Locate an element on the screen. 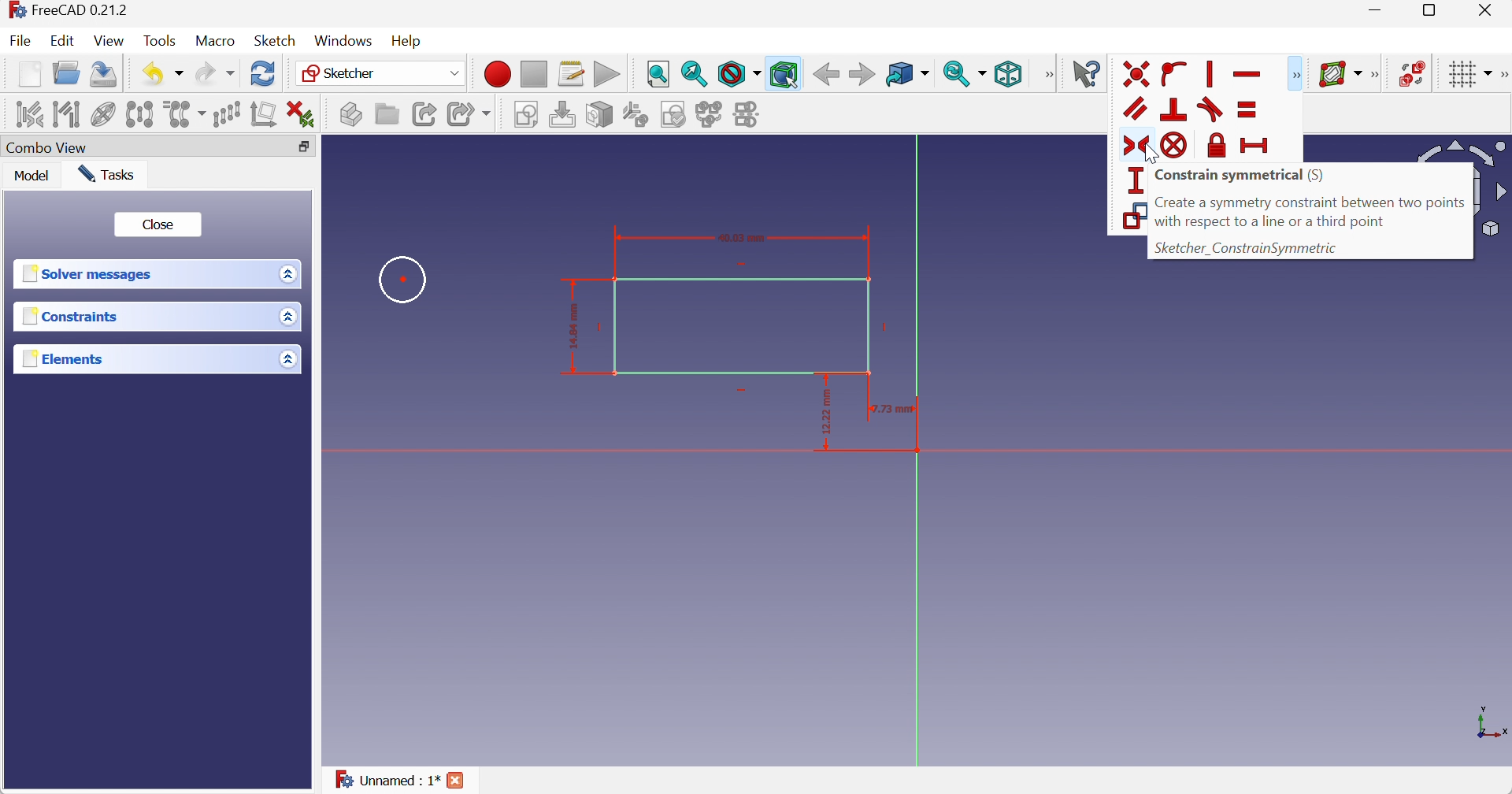 The width and height of the screenshot is (1512, 794). Fit selection  is located at coordinates (695, 73).